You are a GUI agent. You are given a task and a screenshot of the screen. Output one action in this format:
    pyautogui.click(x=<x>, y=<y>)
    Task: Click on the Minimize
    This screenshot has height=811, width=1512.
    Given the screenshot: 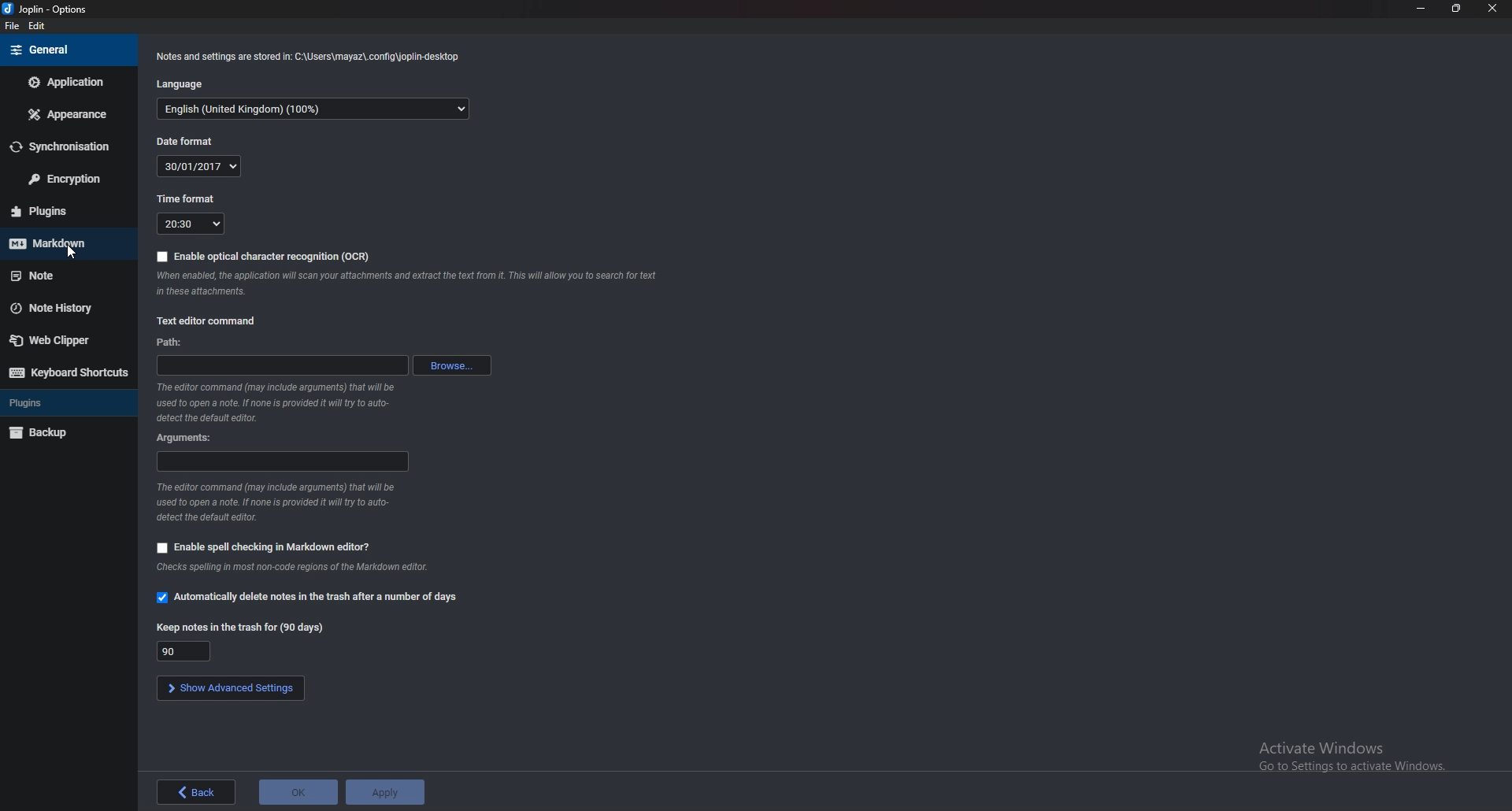 What is the action you would take?
    pyautogui.click(x=1423, y=9)
    